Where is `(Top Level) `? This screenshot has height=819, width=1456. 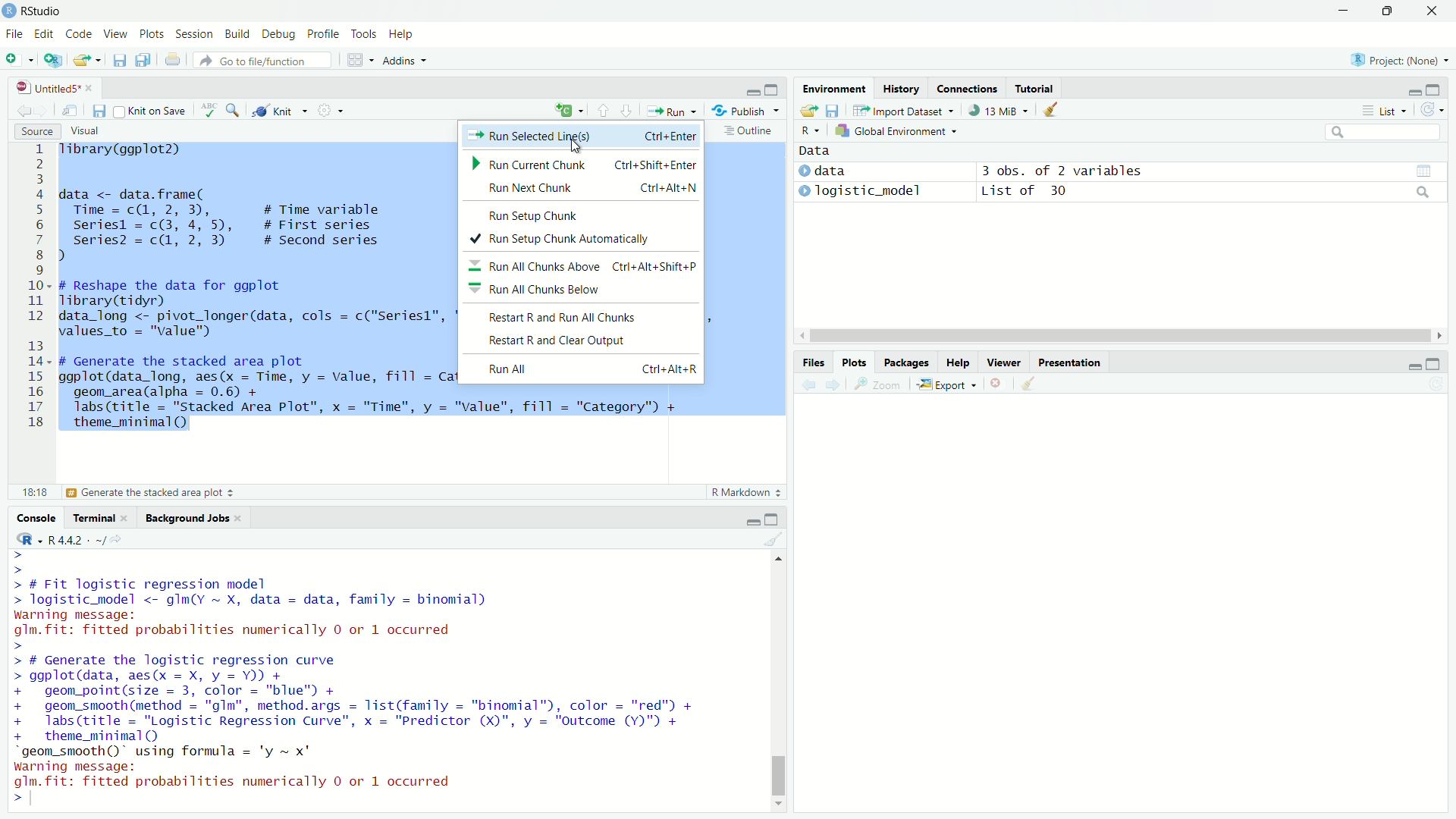
(Top Level)  is located at coordinates (153, 495).